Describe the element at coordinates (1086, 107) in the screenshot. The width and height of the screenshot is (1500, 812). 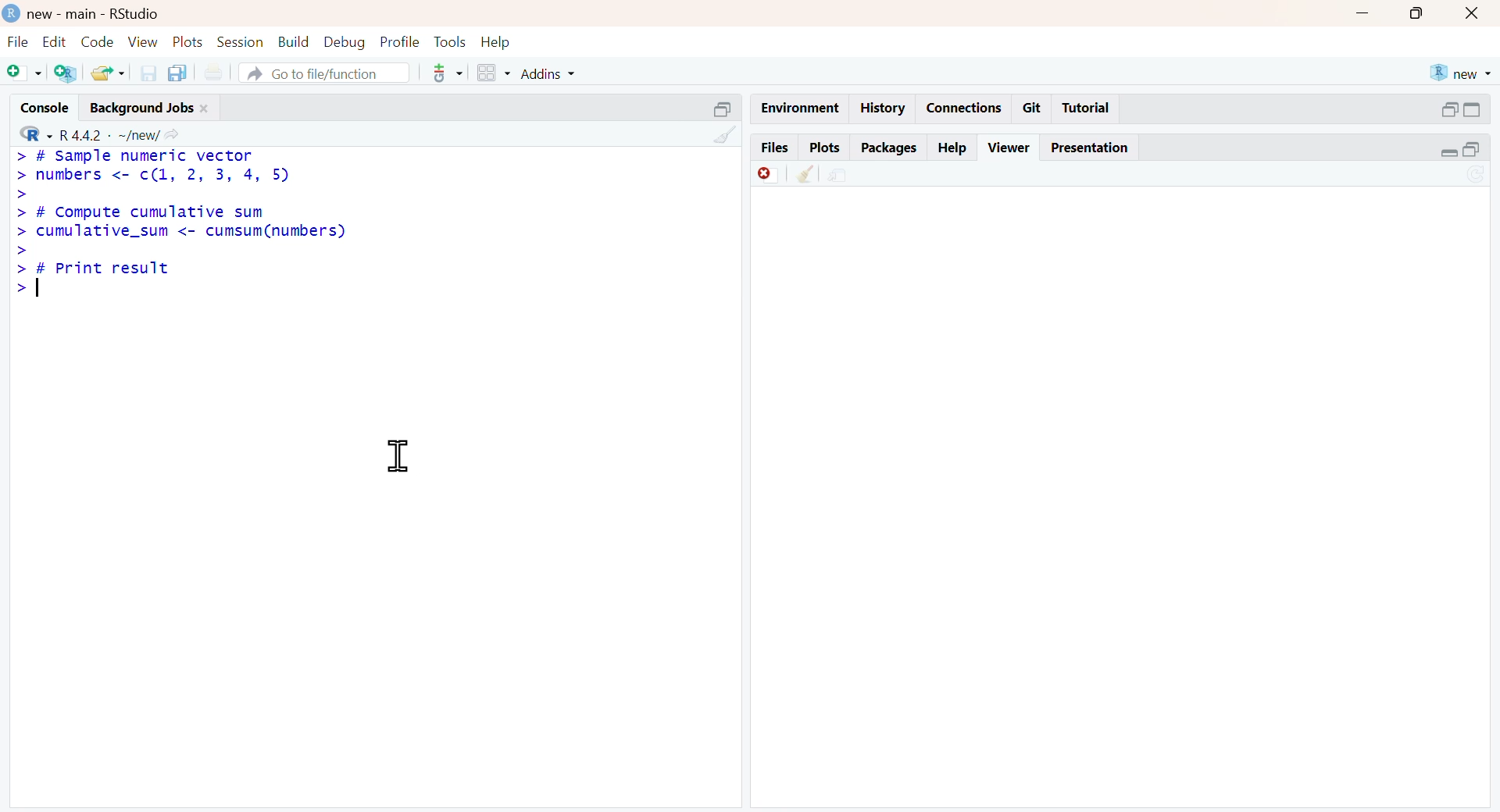
I see `Tutorial` at that location.